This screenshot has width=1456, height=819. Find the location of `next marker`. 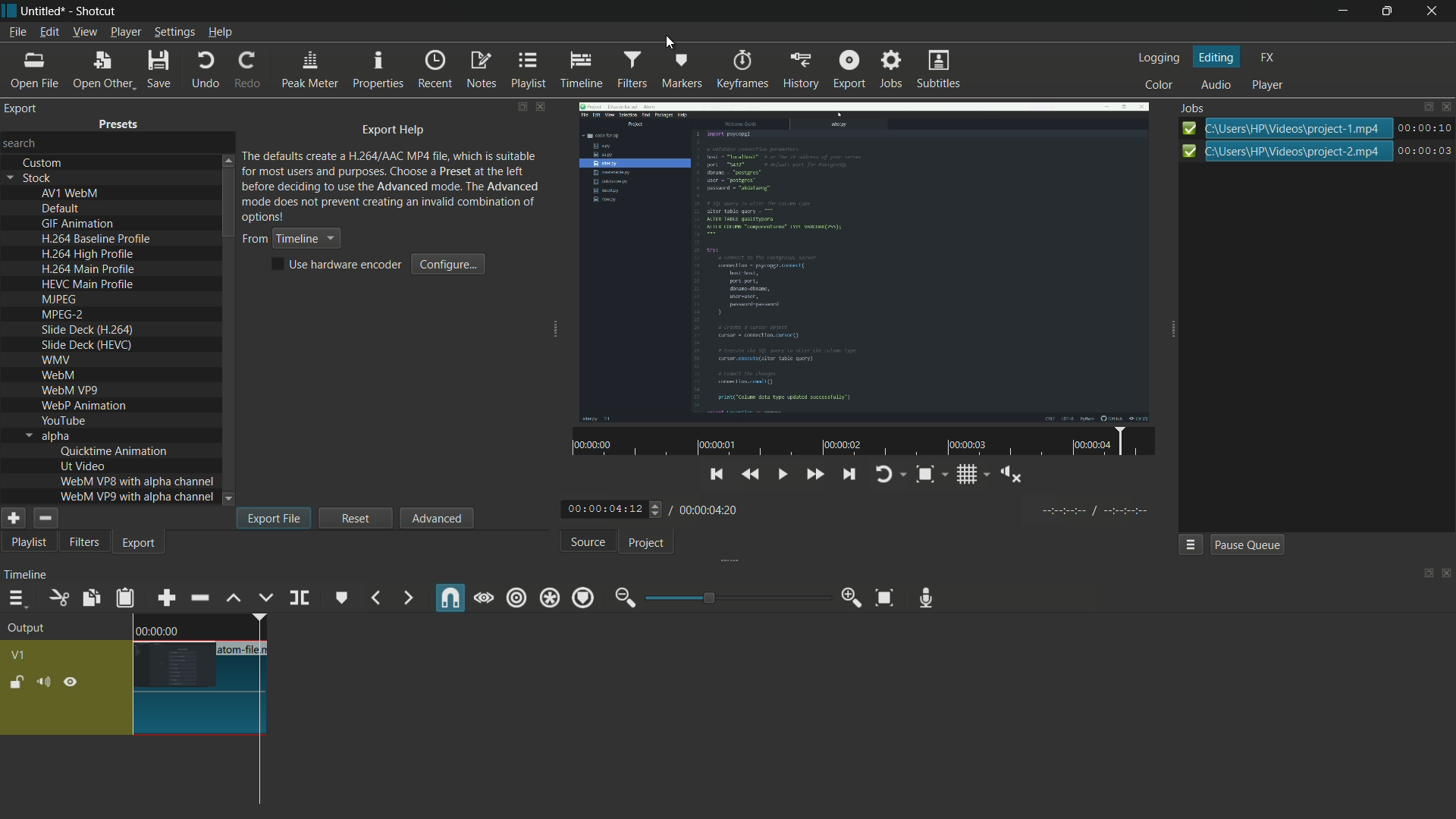

next marker is located at coordinates (409, 598).